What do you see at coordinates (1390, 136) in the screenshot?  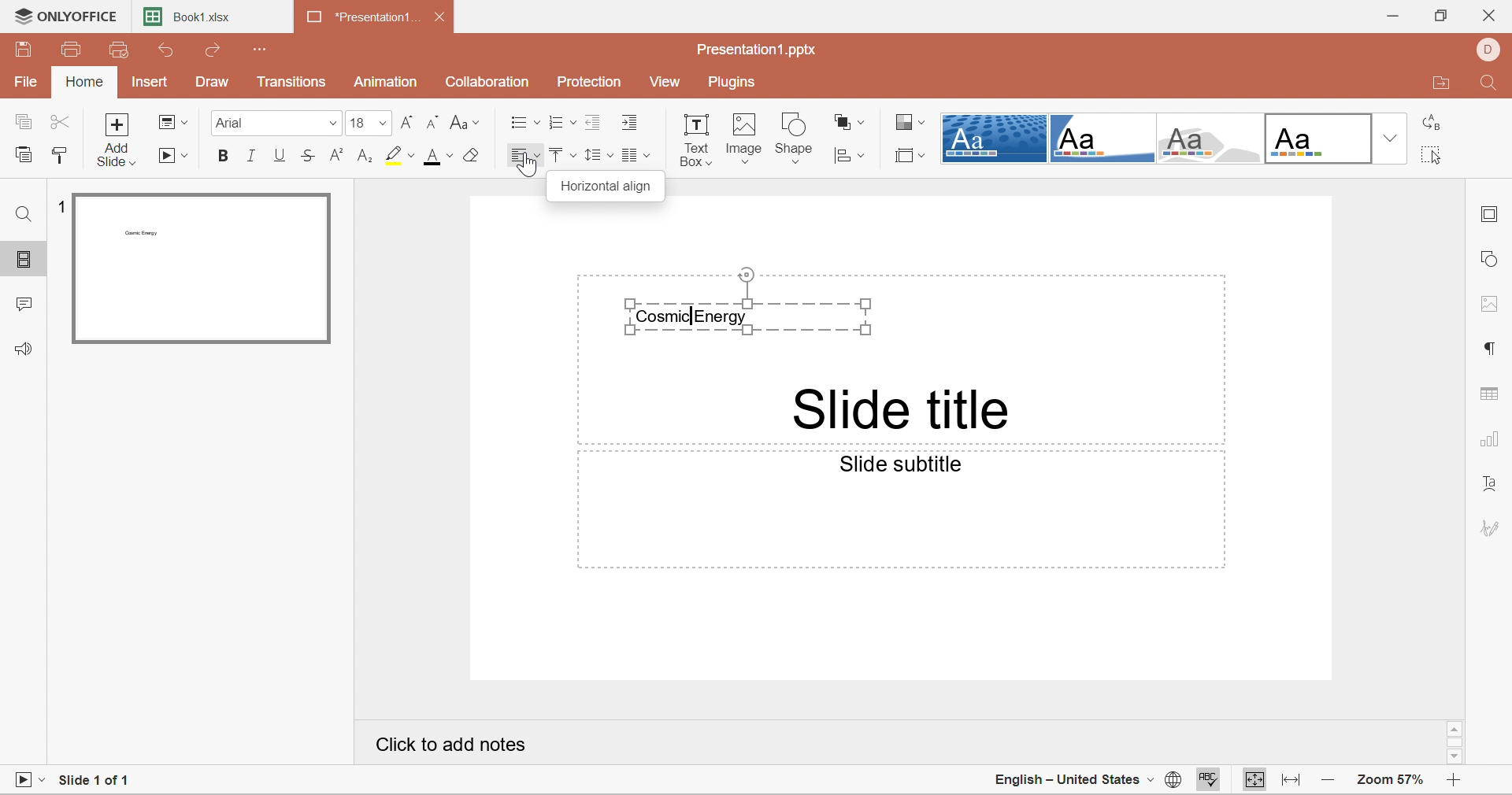 I see `Drop Down` at bounding box center [1390, 136].